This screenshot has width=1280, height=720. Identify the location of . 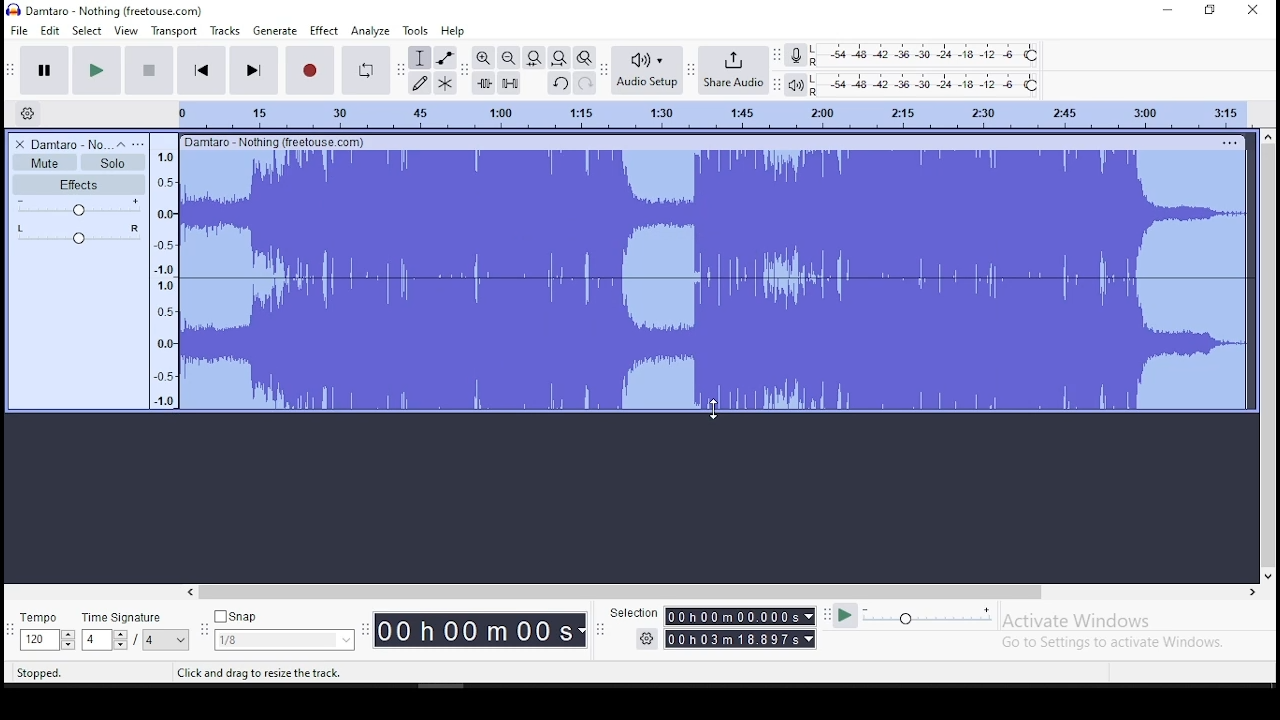
(825, 614).